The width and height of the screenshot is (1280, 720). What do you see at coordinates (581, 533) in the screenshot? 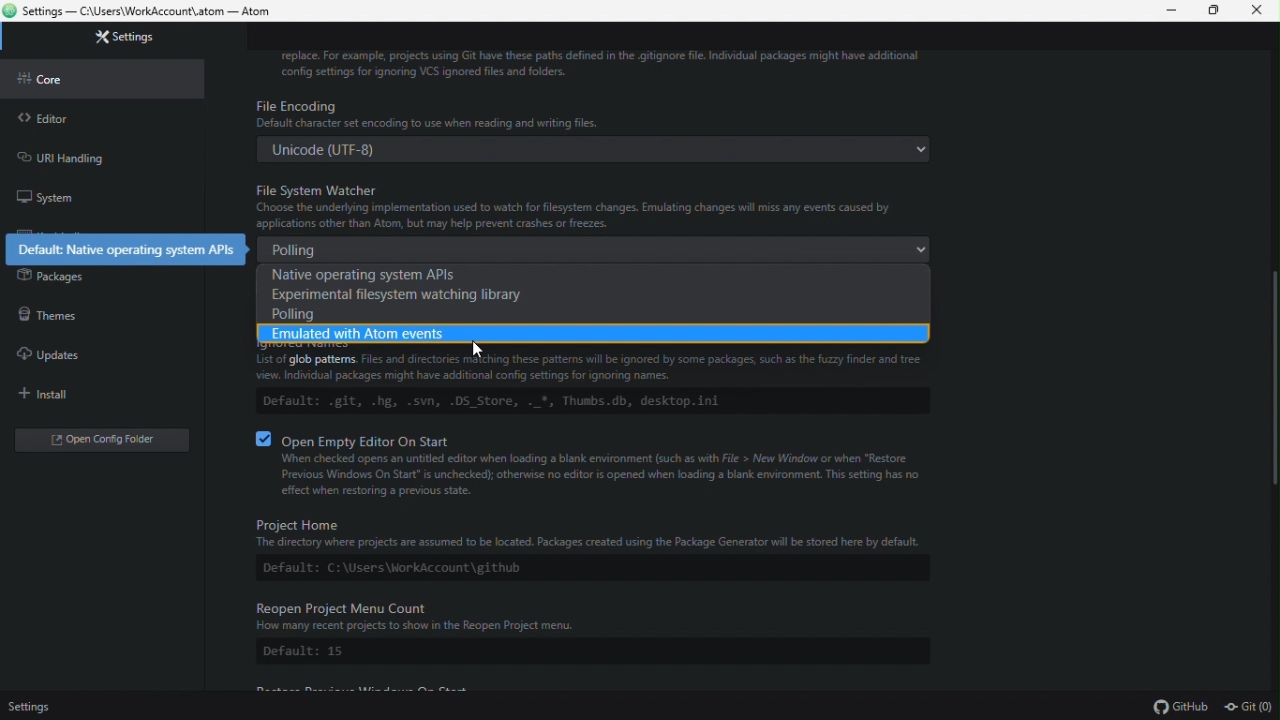
I see `Project Home The directory where projects are assumed to be located. Packages created using the Package Generator will be stored here by default.` at bounding box center [581, 533].